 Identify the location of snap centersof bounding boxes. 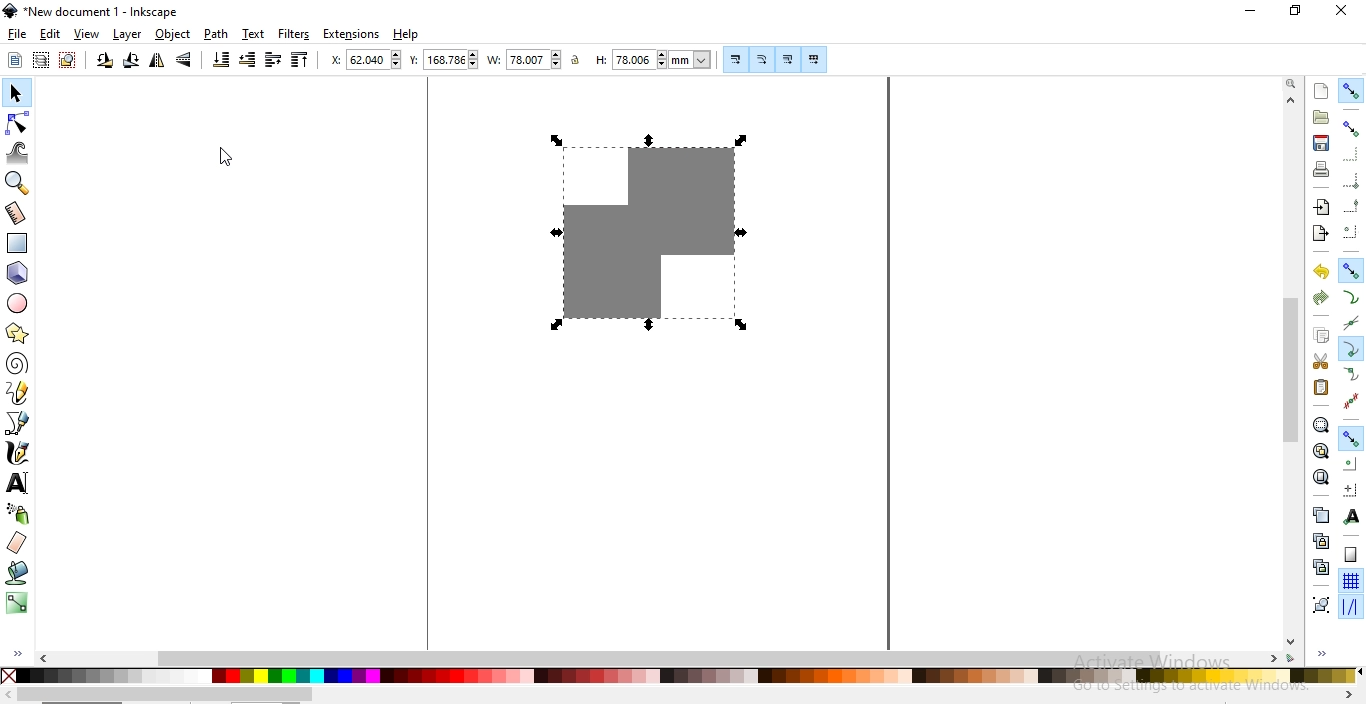
(1349, 233).